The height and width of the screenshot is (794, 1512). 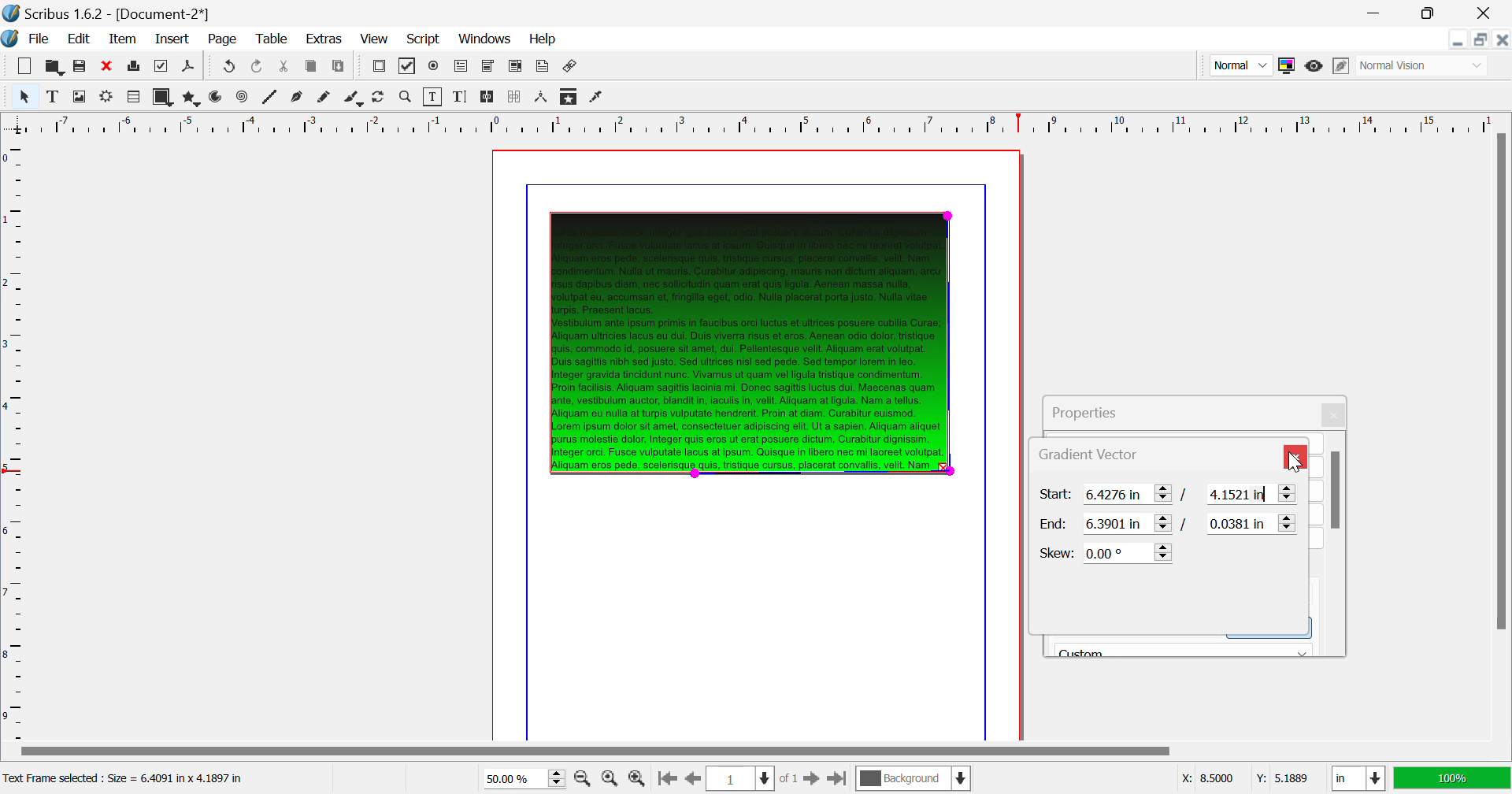 What do you see at coordinates (570, 96) in the screenshot?
I see `Copy Item Properties` at bounding box center [570, 96].